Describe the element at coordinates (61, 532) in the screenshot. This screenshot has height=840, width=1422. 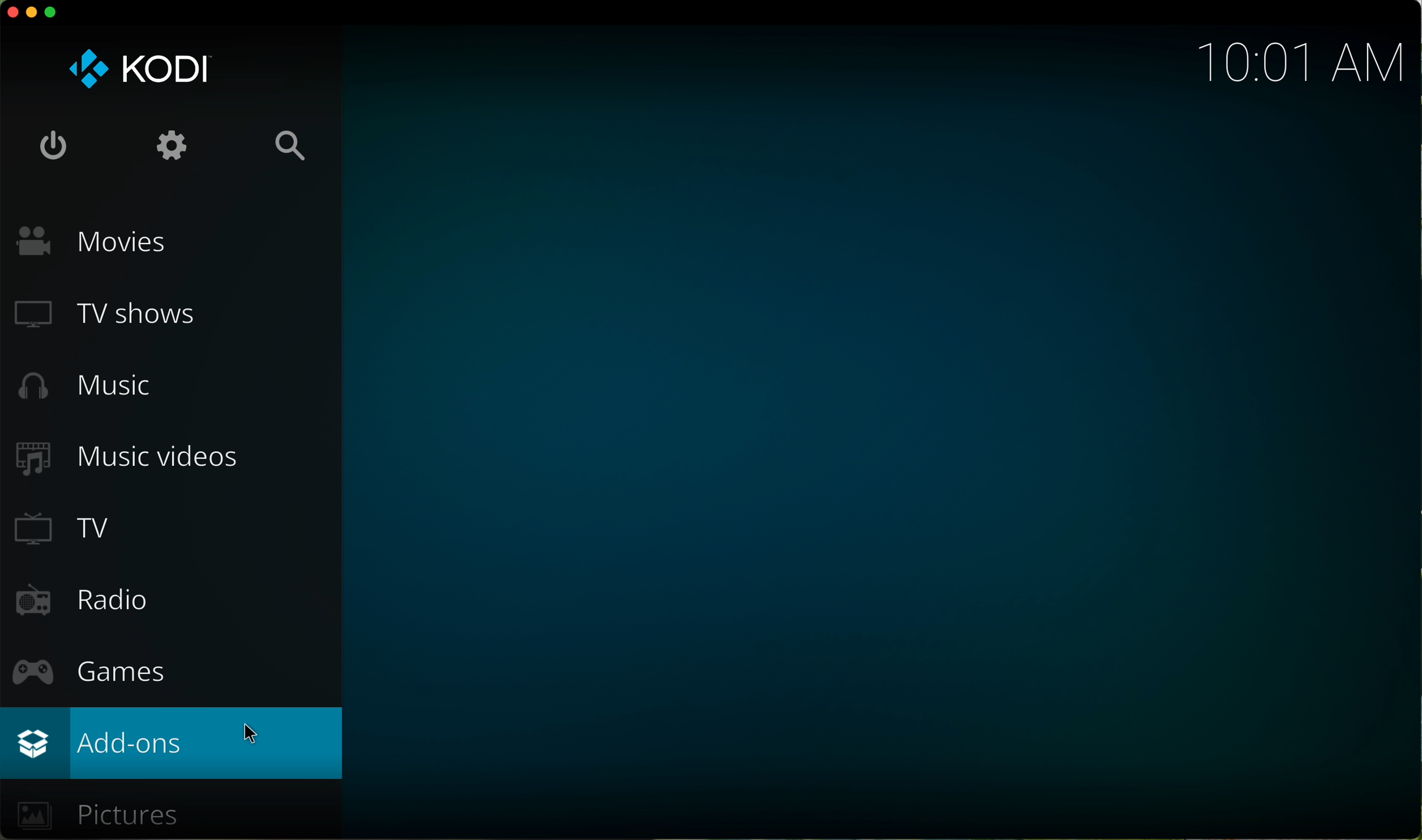
I see `TV` at that location.